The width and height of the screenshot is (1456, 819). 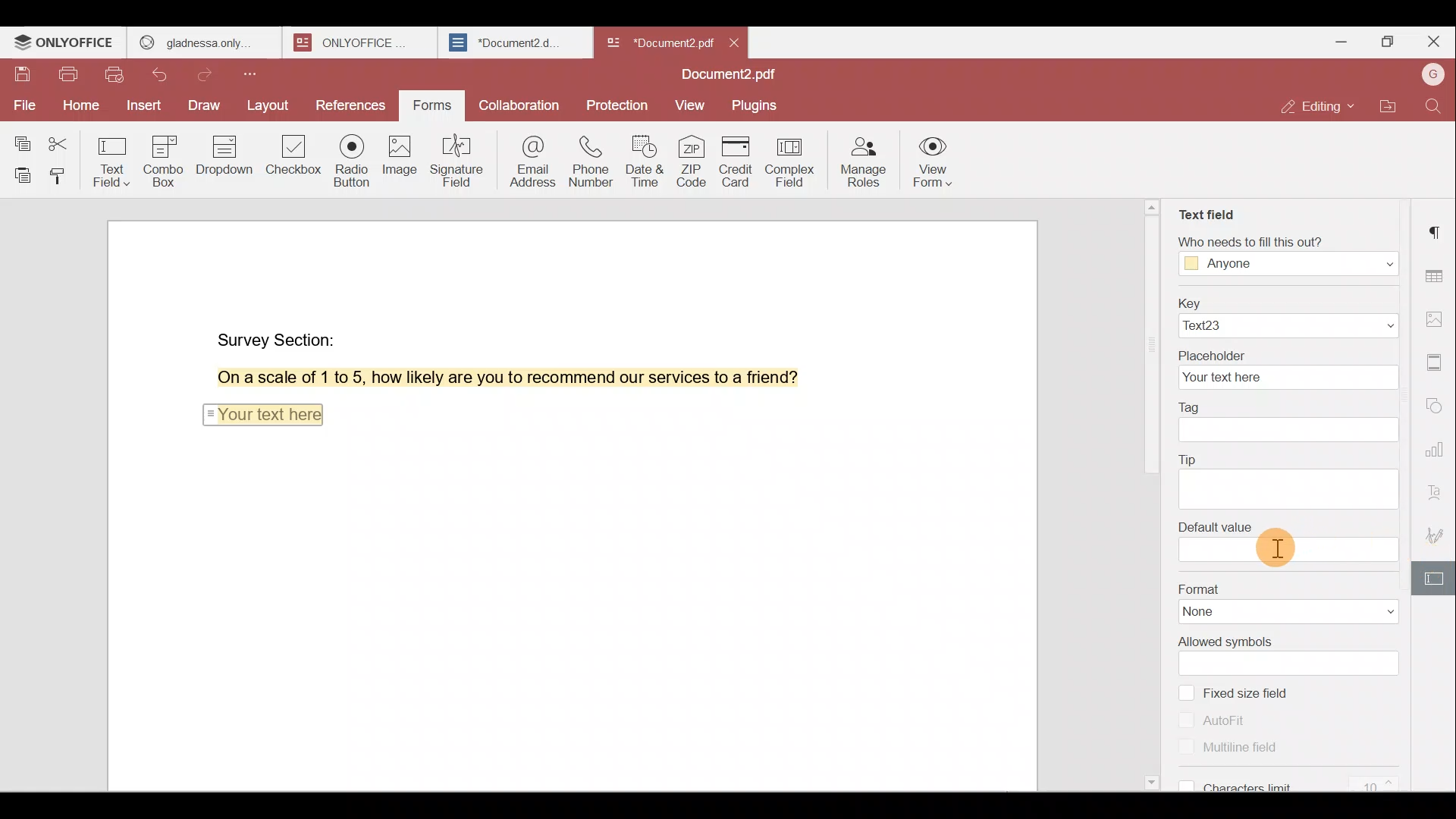 I want to click on Home, so click(x=78, y=108).